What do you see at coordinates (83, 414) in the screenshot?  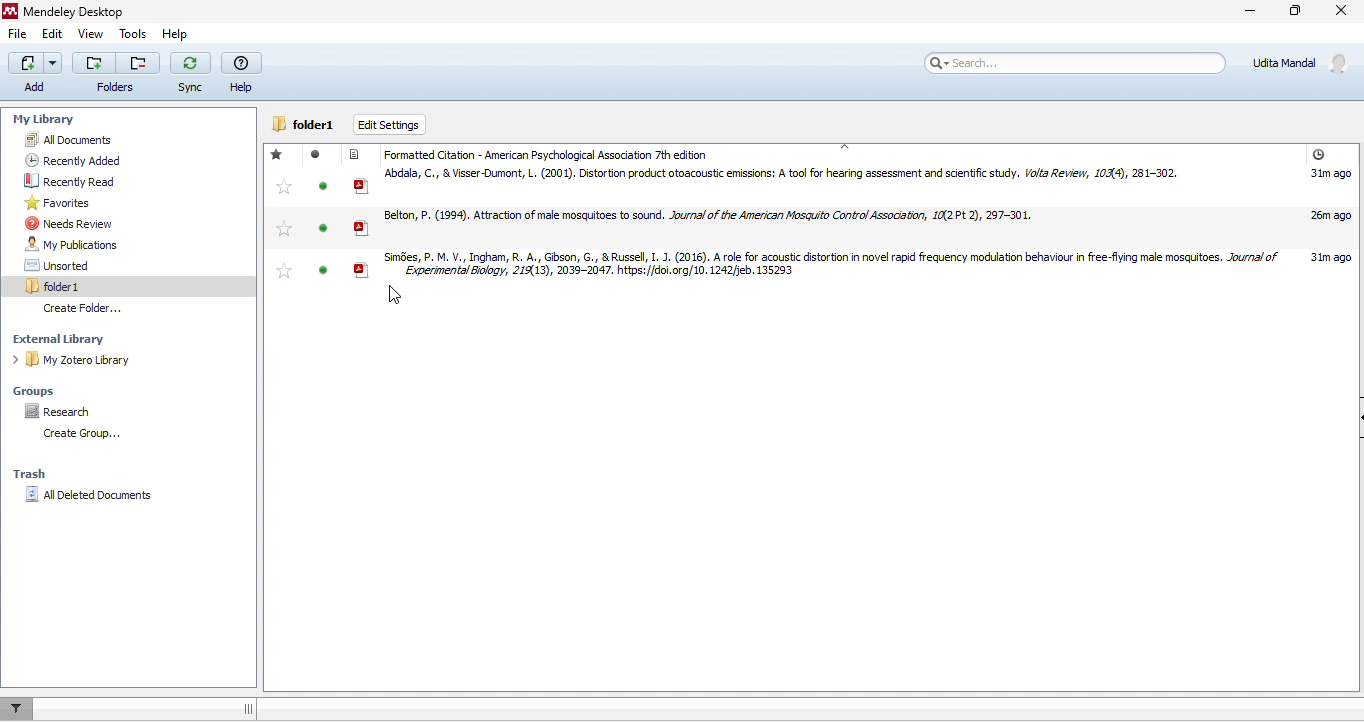 I see `research` at bounding box center [83, 414].